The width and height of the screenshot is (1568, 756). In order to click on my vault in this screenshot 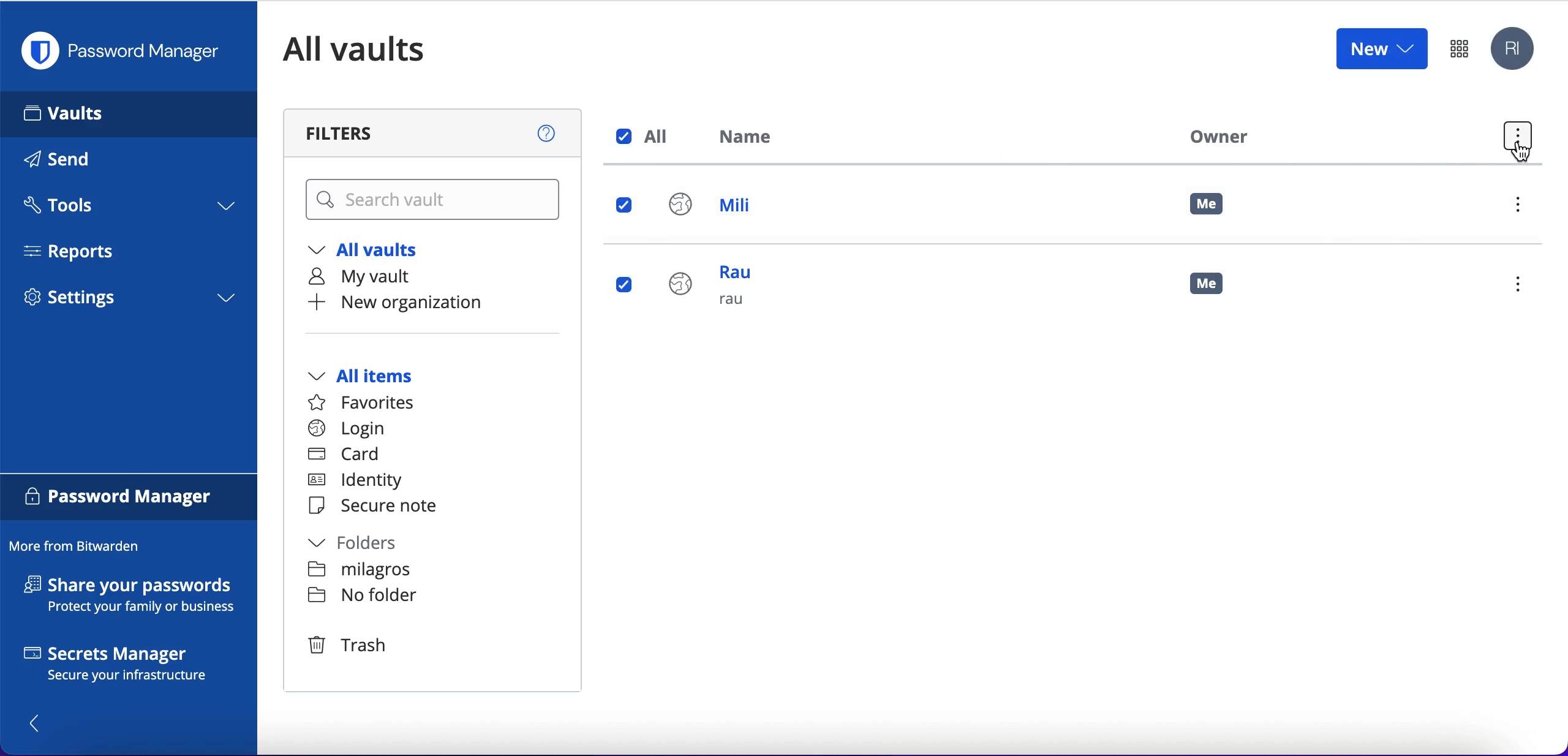, I will do `click(372, 276)`.